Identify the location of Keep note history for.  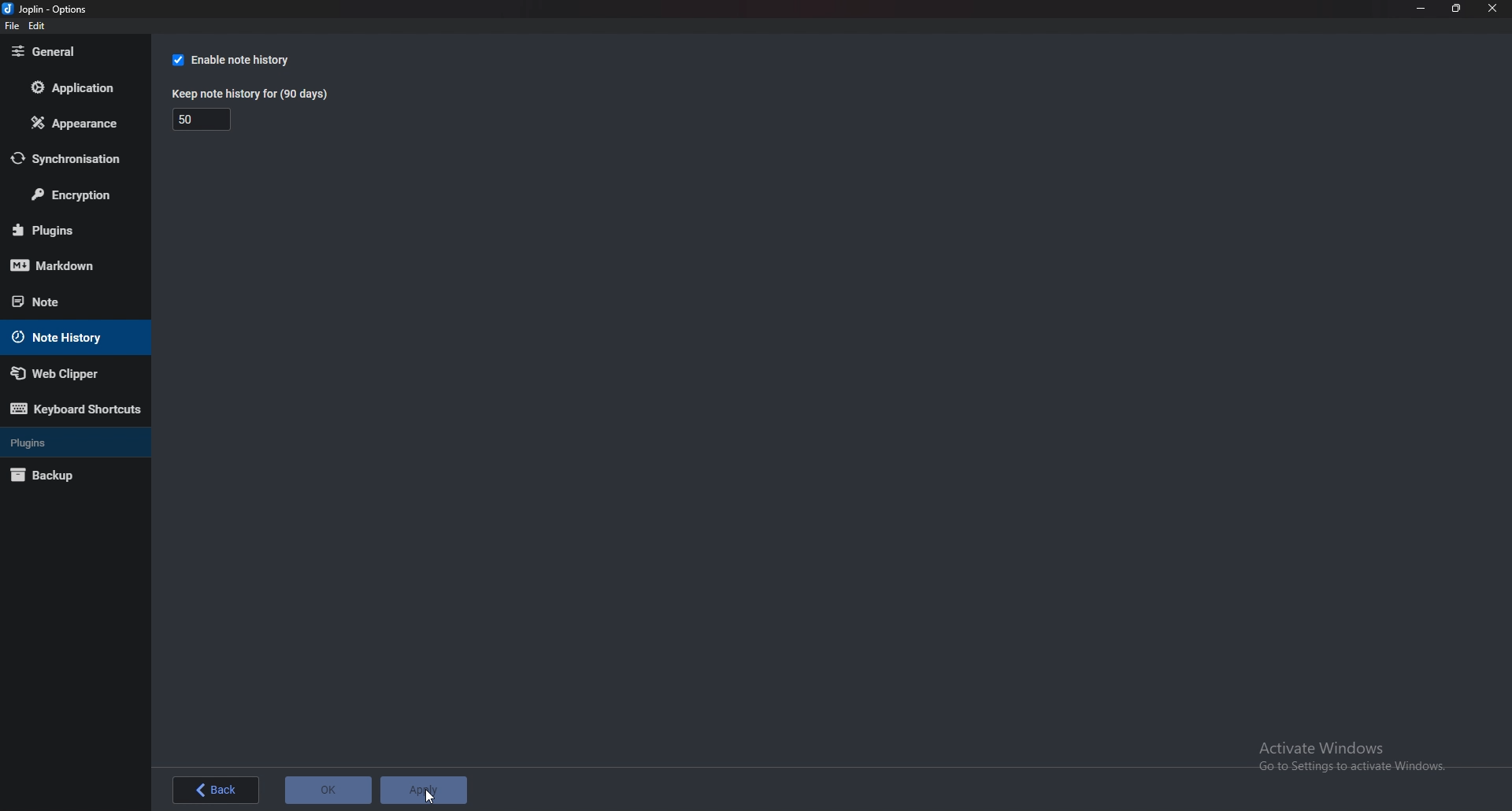
(254, 94).